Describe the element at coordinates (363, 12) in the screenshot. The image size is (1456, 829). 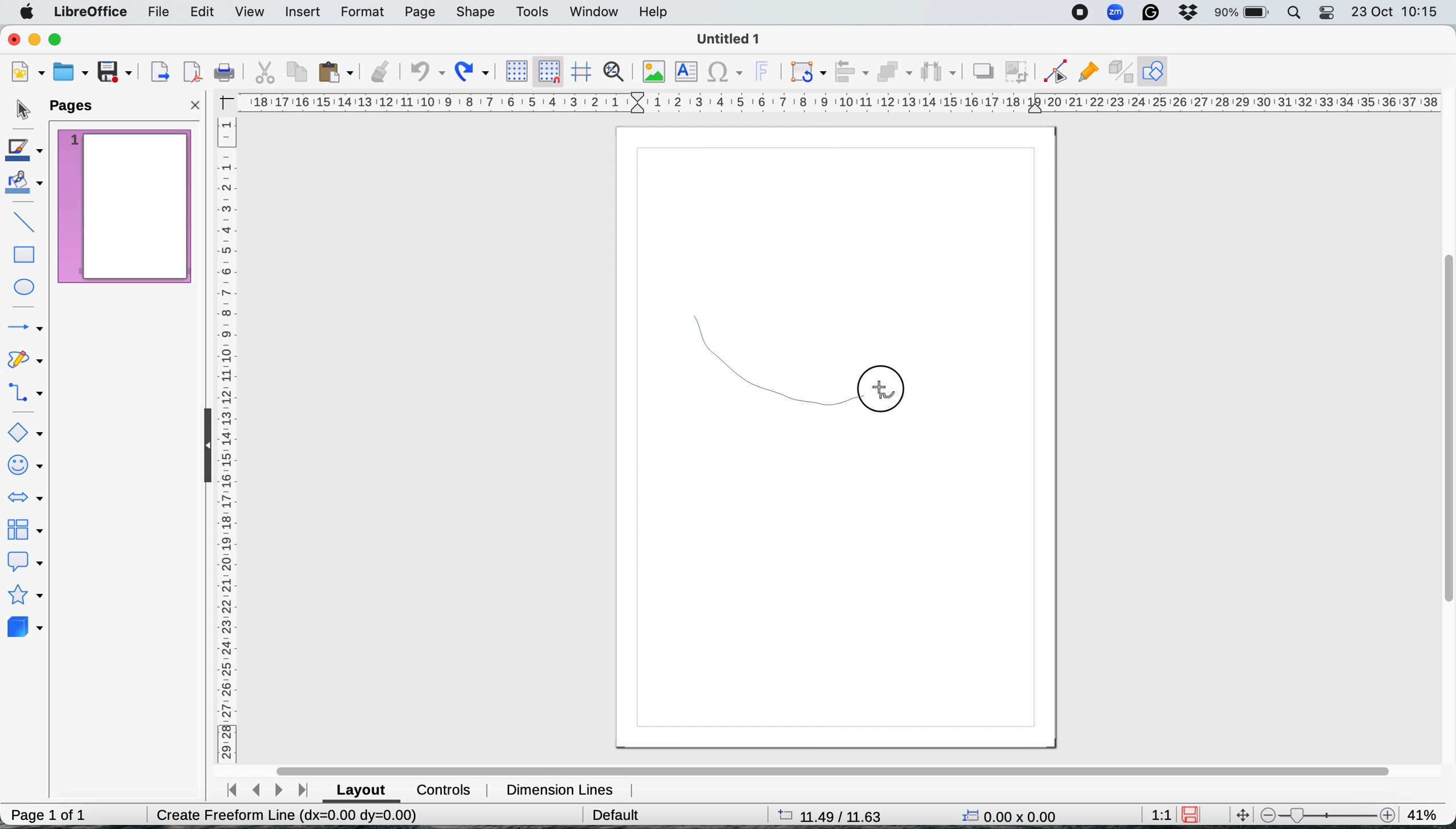
I see `format` at that location.